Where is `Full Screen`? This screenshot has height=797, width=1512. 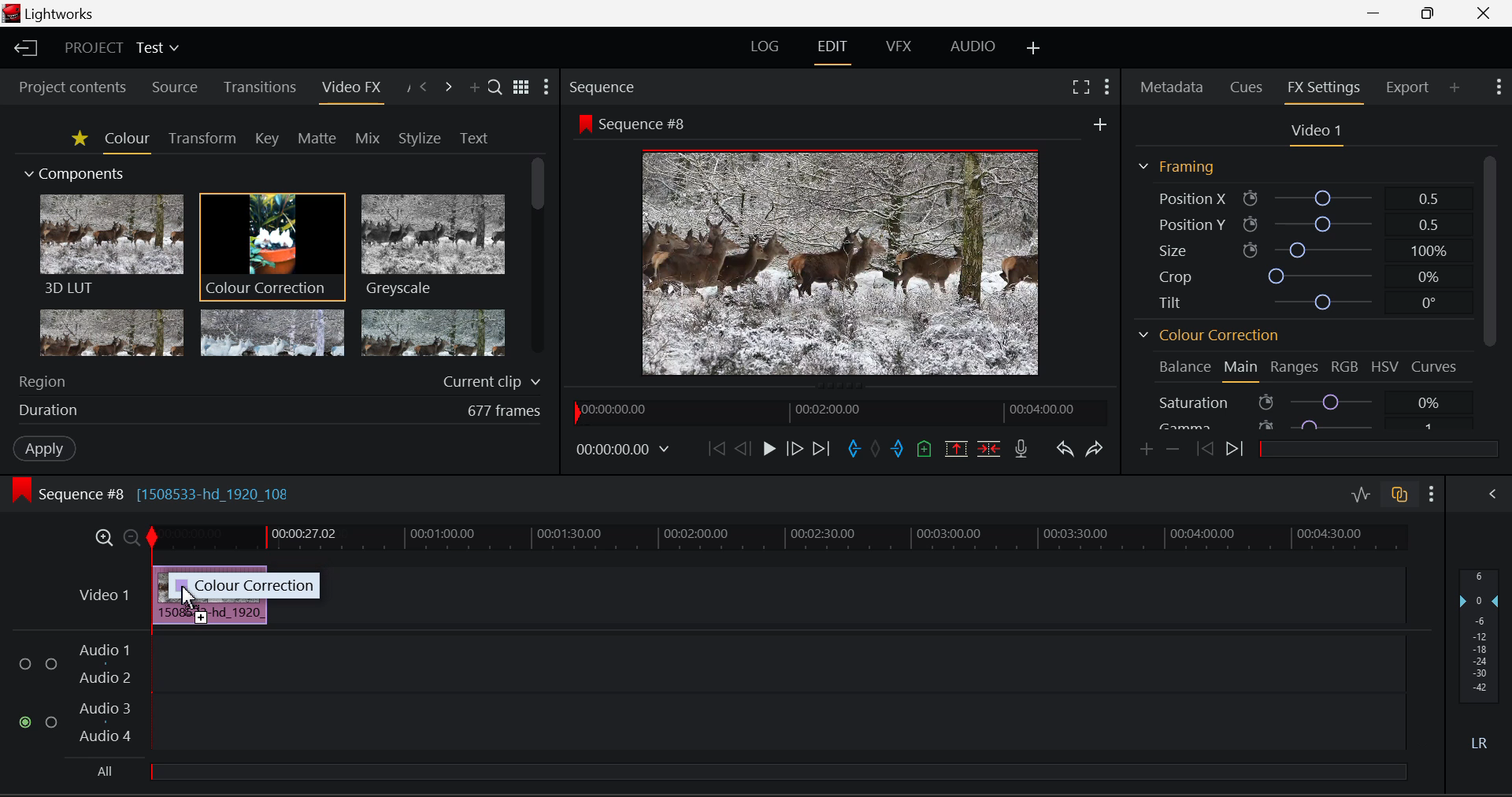
Full Screen is located at coordinates (1081, 88).